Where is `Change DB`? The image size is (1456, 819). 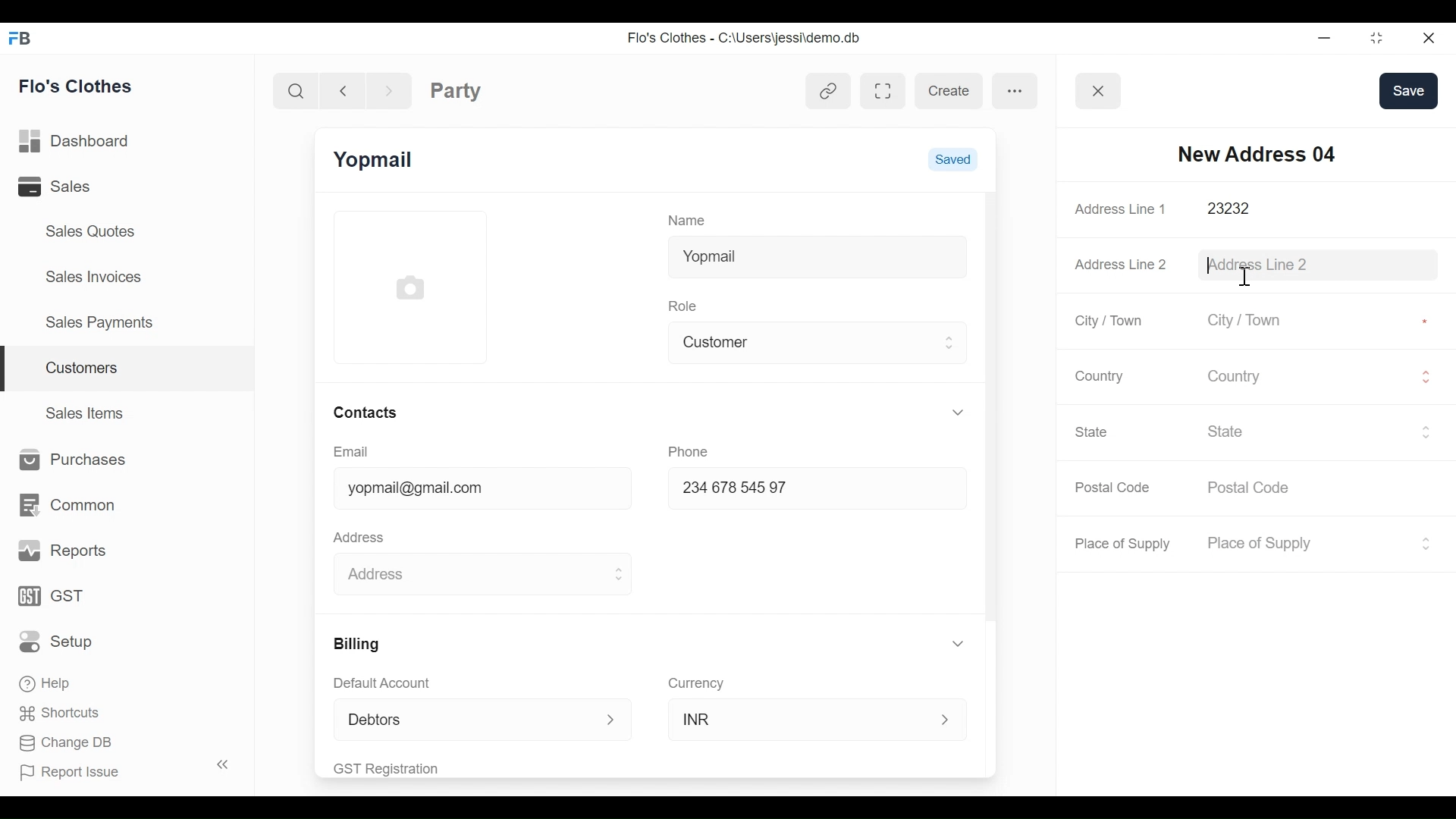 Change DB is located at coordinates (67, 745).